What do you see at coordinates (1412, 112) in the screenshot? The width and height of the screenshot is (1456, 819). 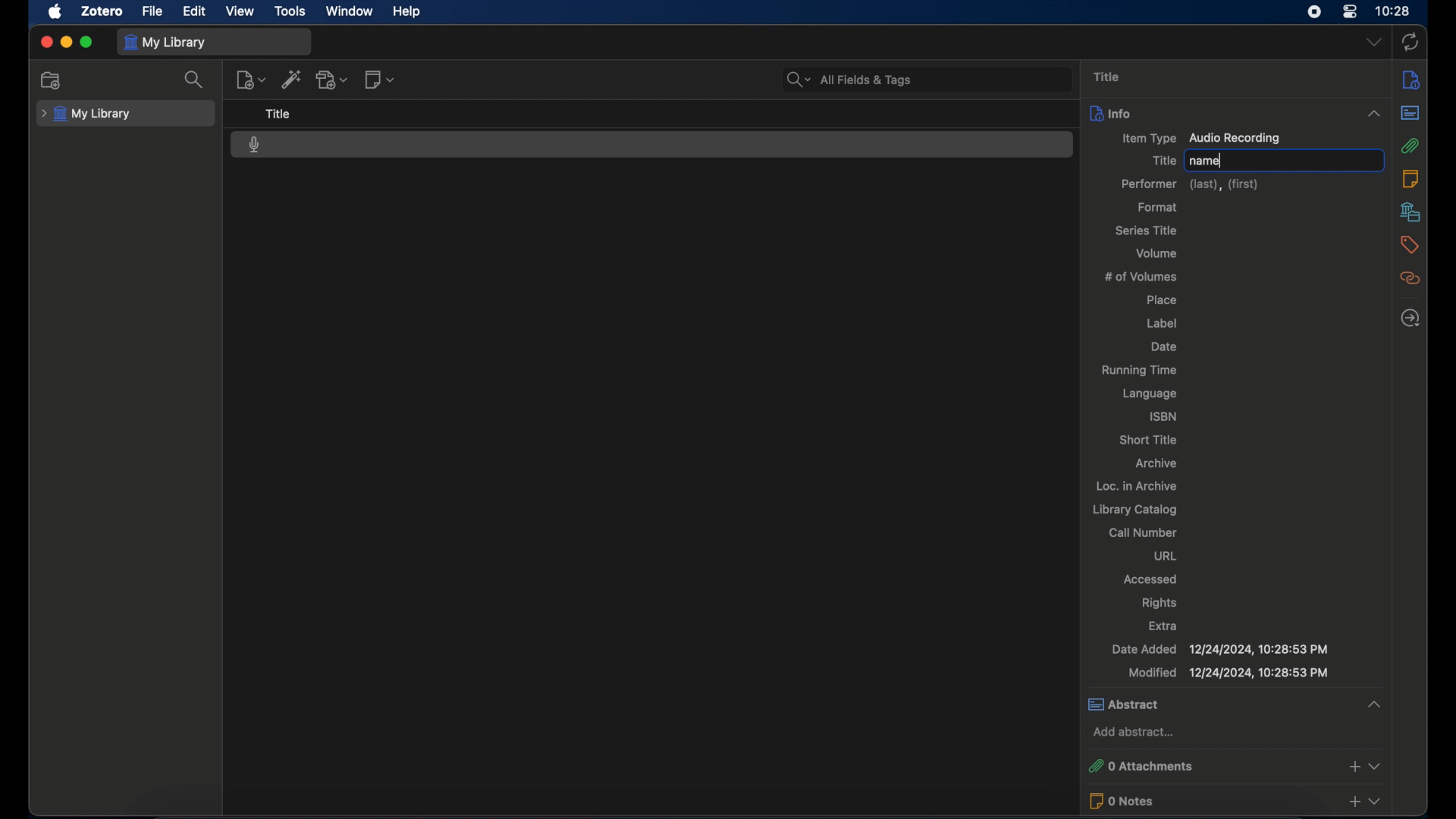 I see `abstract` at bounding box center [1412, 112].